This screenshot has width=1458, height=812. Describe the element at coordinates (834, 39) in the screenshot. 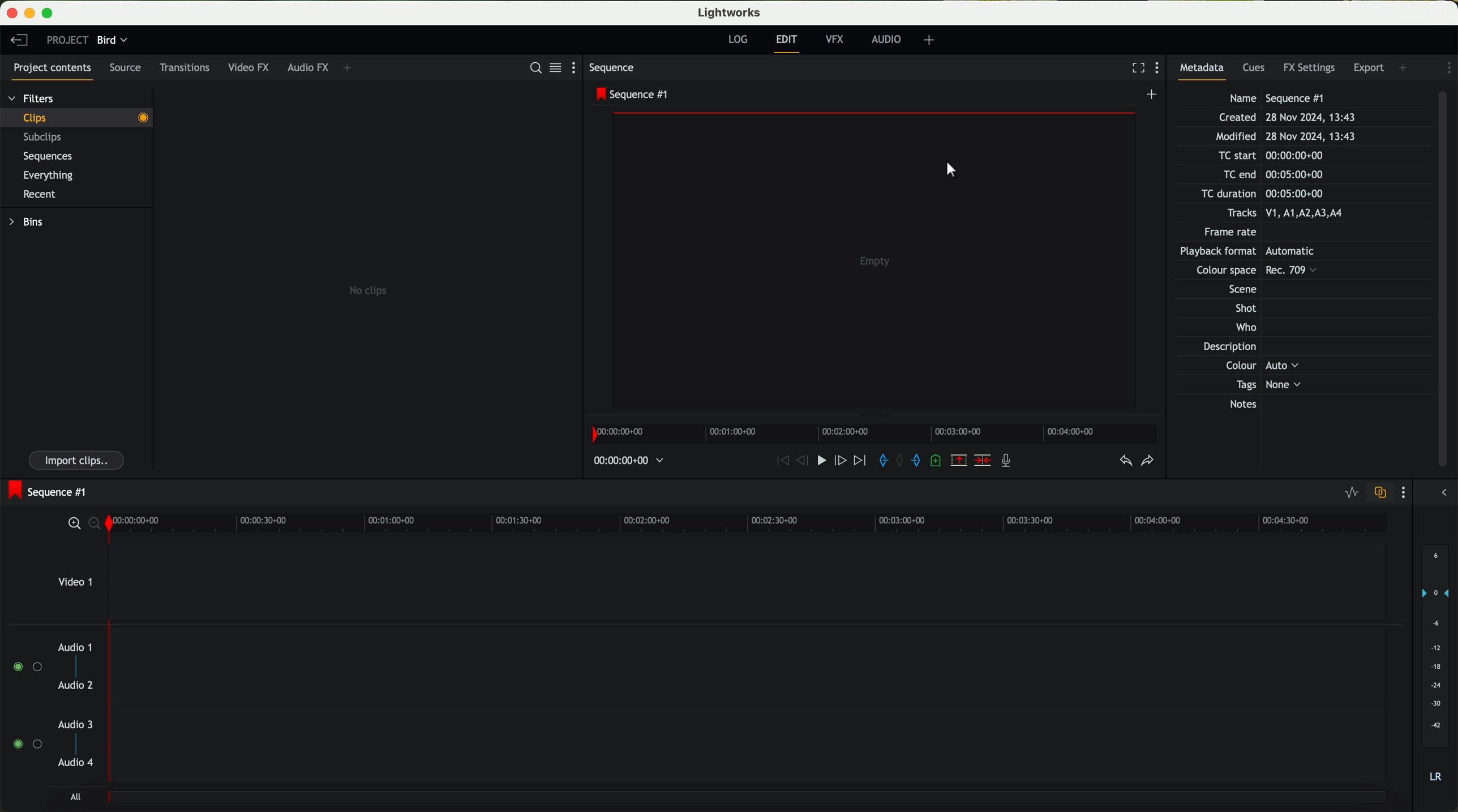

I see `VFX` at that location.